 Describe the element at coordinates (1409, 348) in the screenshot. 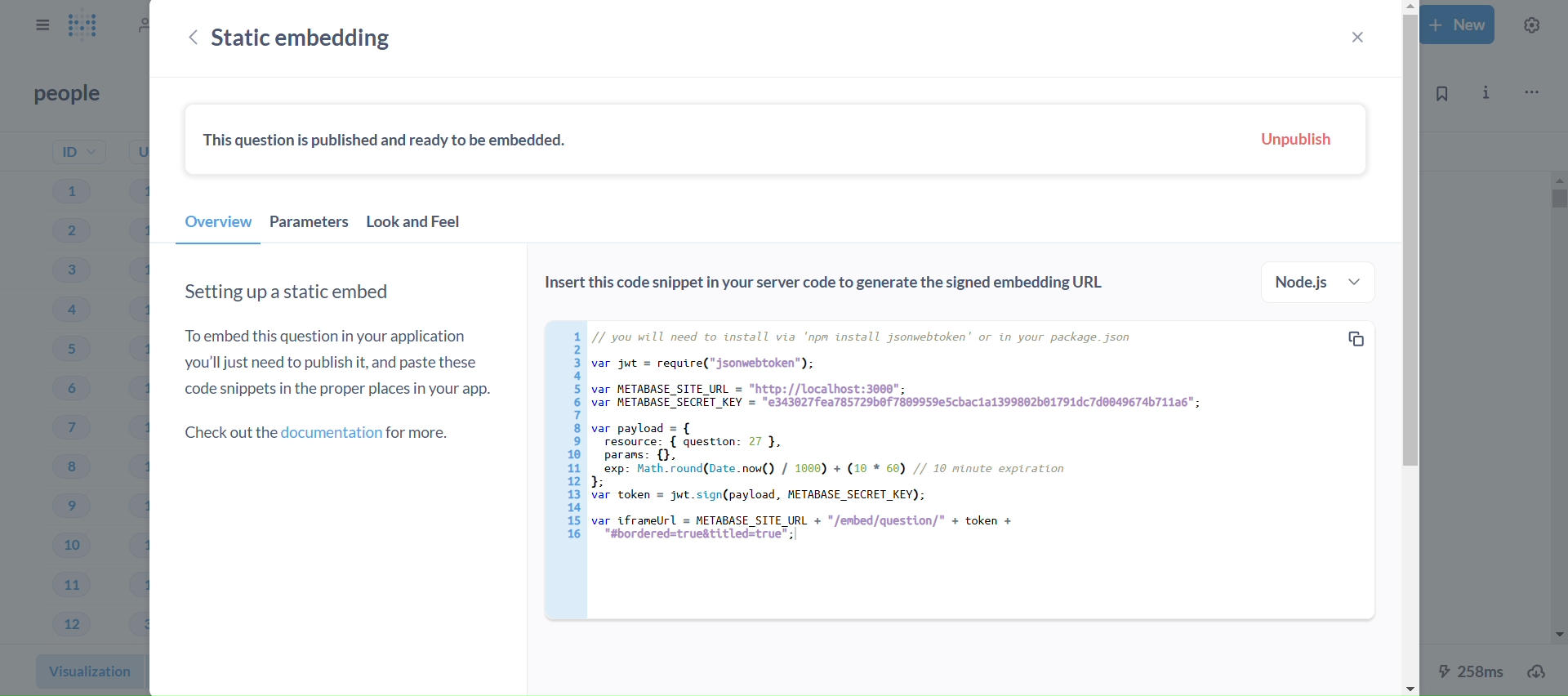

I see `vertical scroll bar` at that location.